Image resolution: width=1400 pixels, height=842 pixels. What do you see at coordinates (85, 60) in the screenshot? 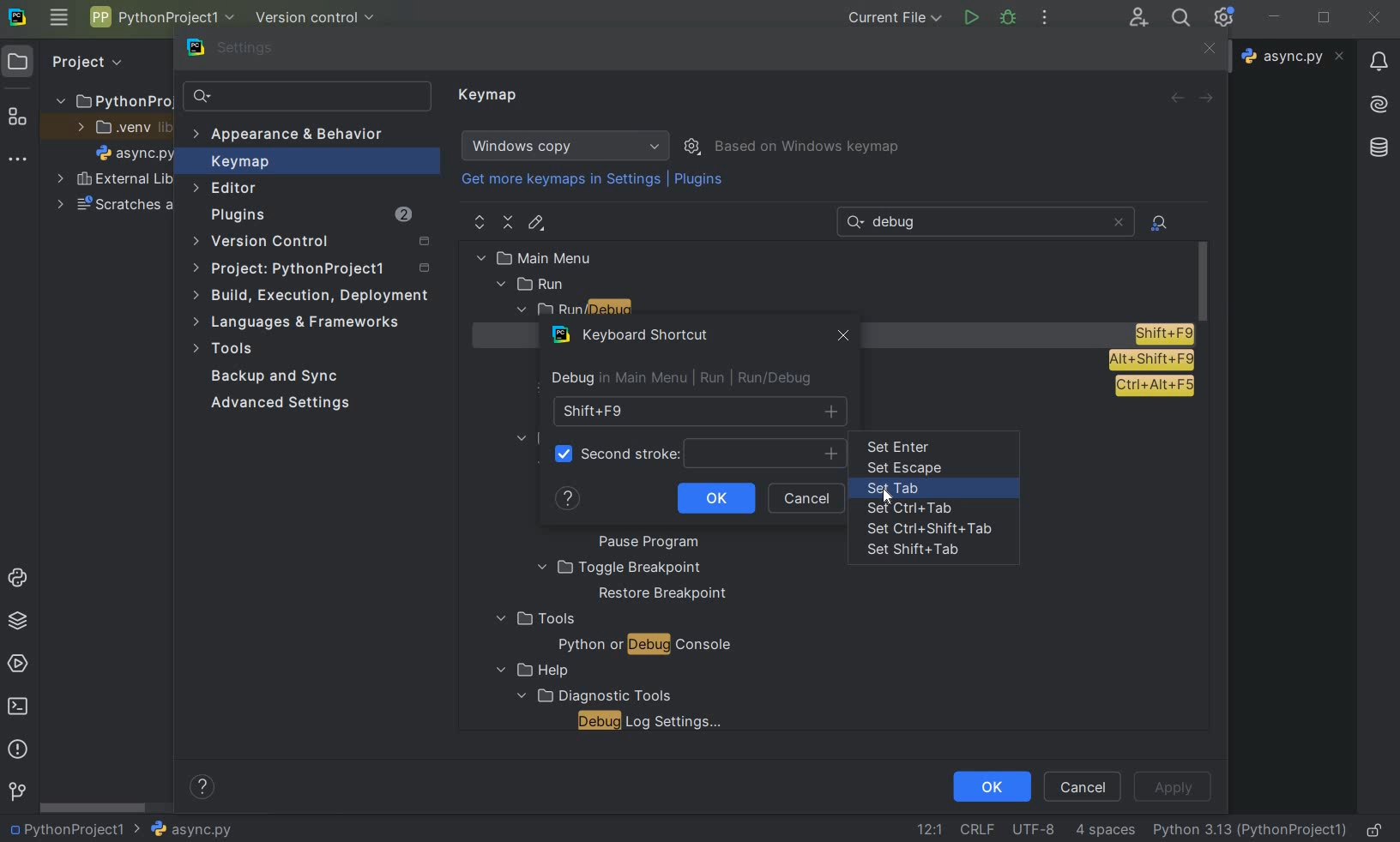
I see `Project` at bounding box center [85, 60].